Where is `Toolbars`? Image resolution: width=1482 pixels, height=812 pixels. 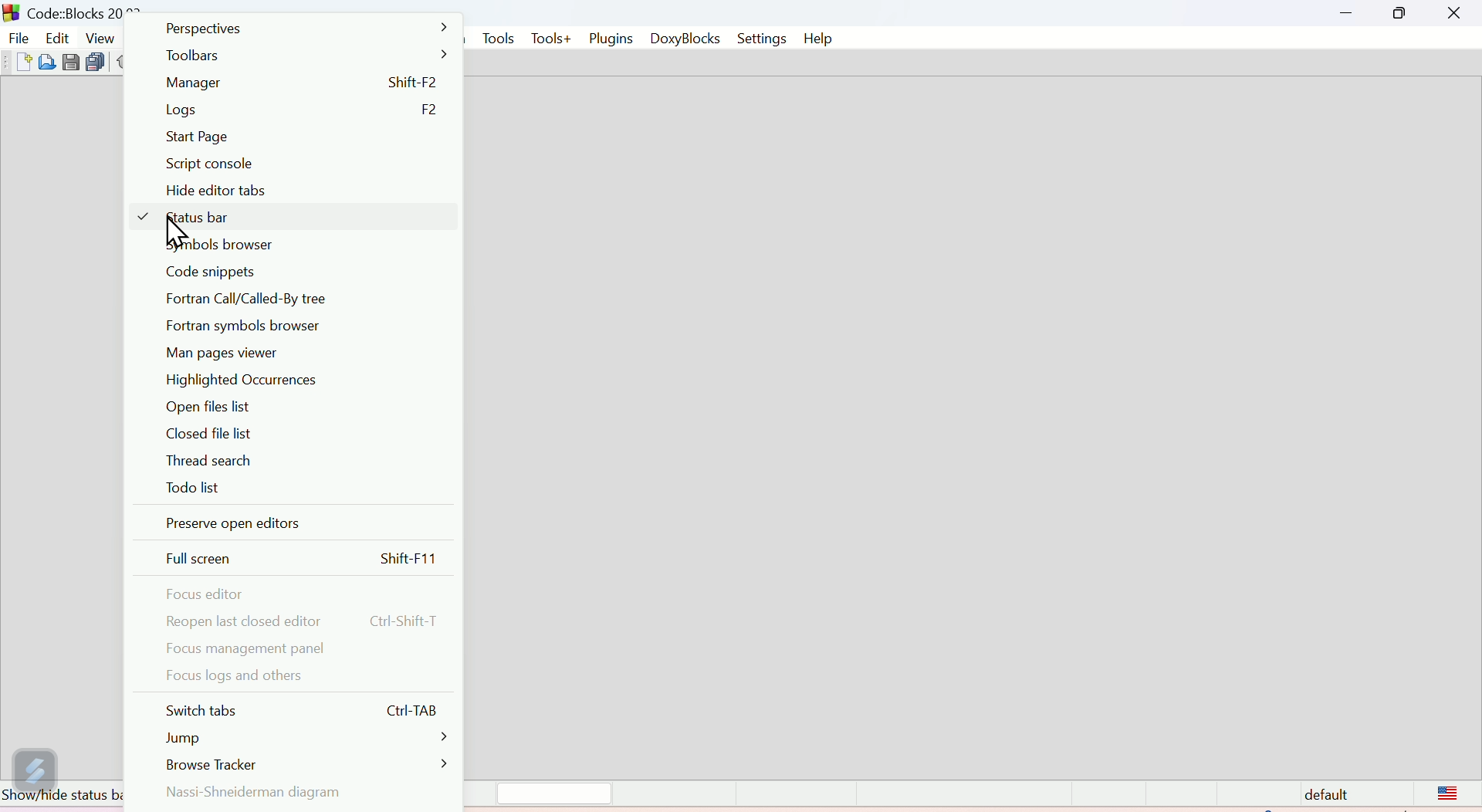 Toolbars is located at coordinates (299, 59).